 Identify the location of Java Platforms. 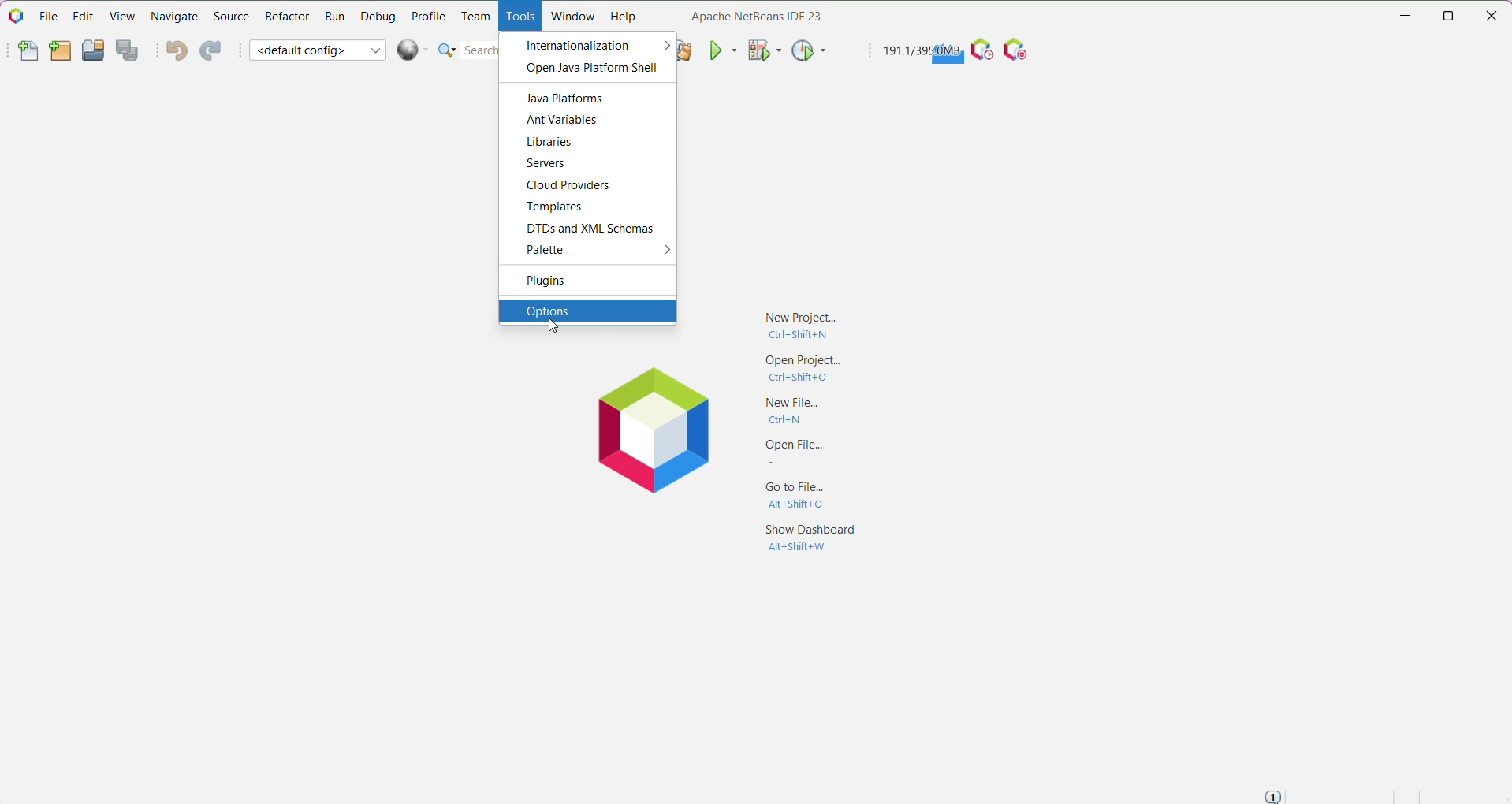
(568, 97).